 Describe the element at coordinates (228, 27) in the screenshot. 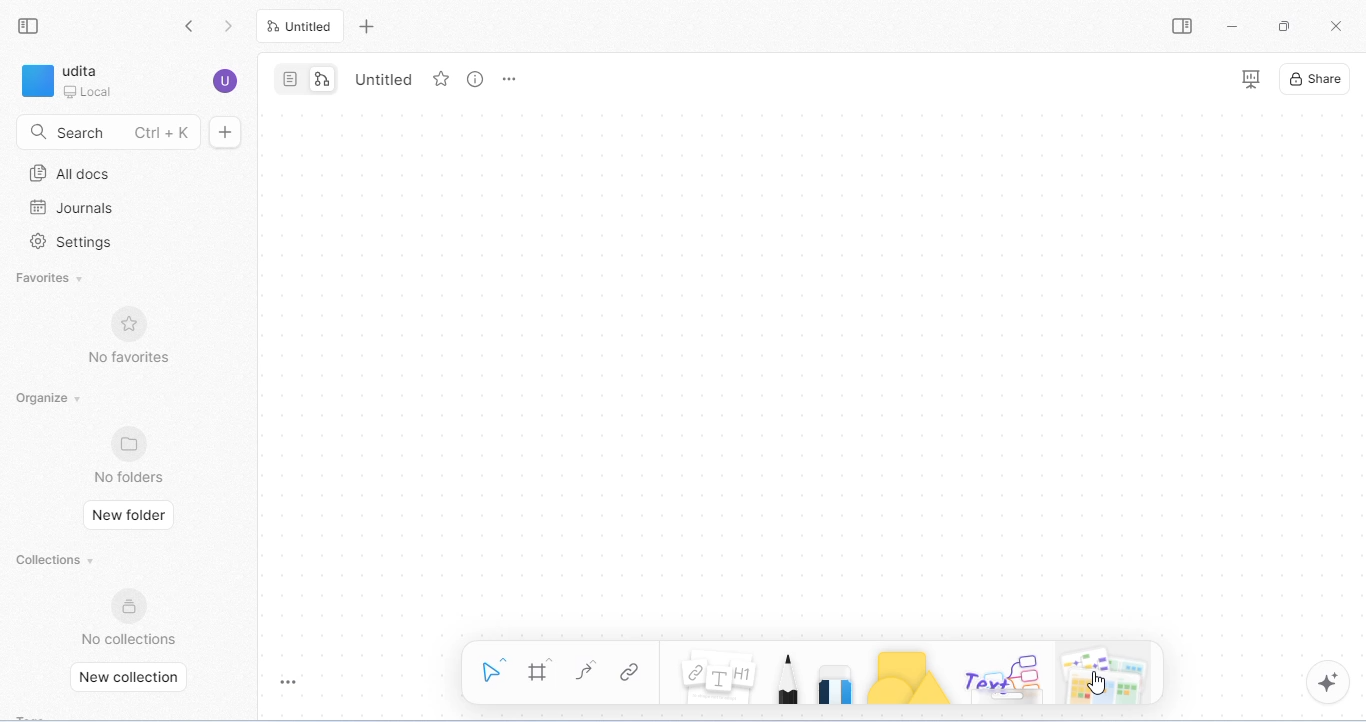

I see `go forward` at that location.